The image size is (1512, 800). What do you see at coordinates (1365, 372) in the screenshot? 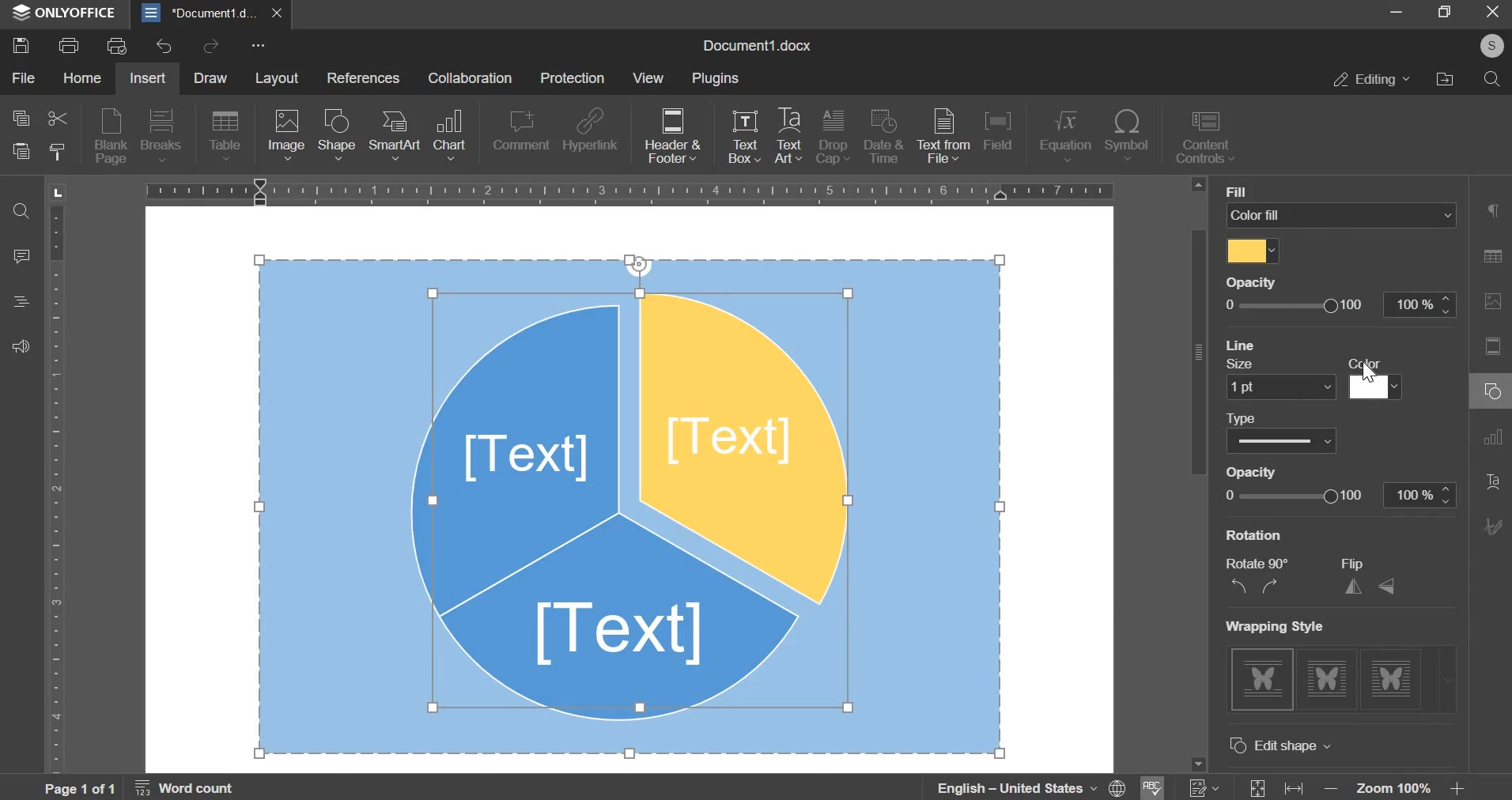
I see `Cursor` at bounding box center [1365, 372].